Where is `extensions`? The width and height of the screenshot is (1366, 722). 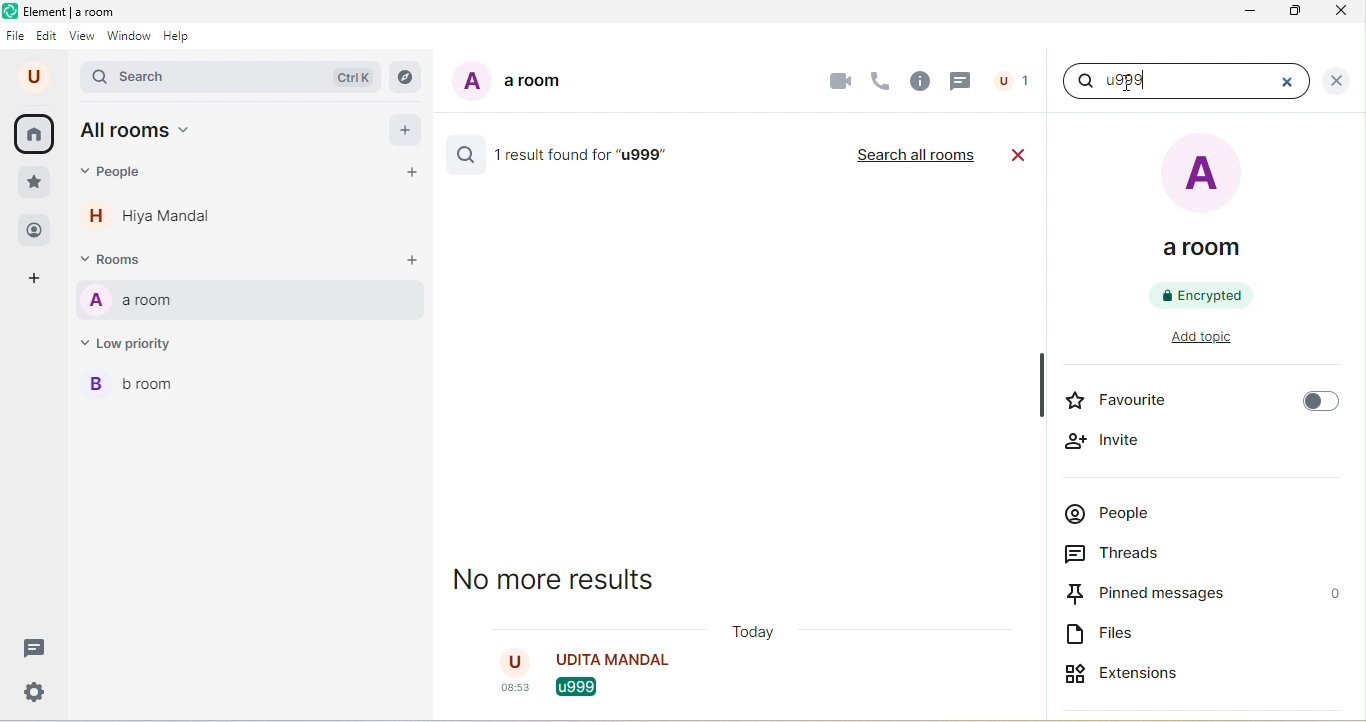
extensions is located at coordinates (1148, 670).